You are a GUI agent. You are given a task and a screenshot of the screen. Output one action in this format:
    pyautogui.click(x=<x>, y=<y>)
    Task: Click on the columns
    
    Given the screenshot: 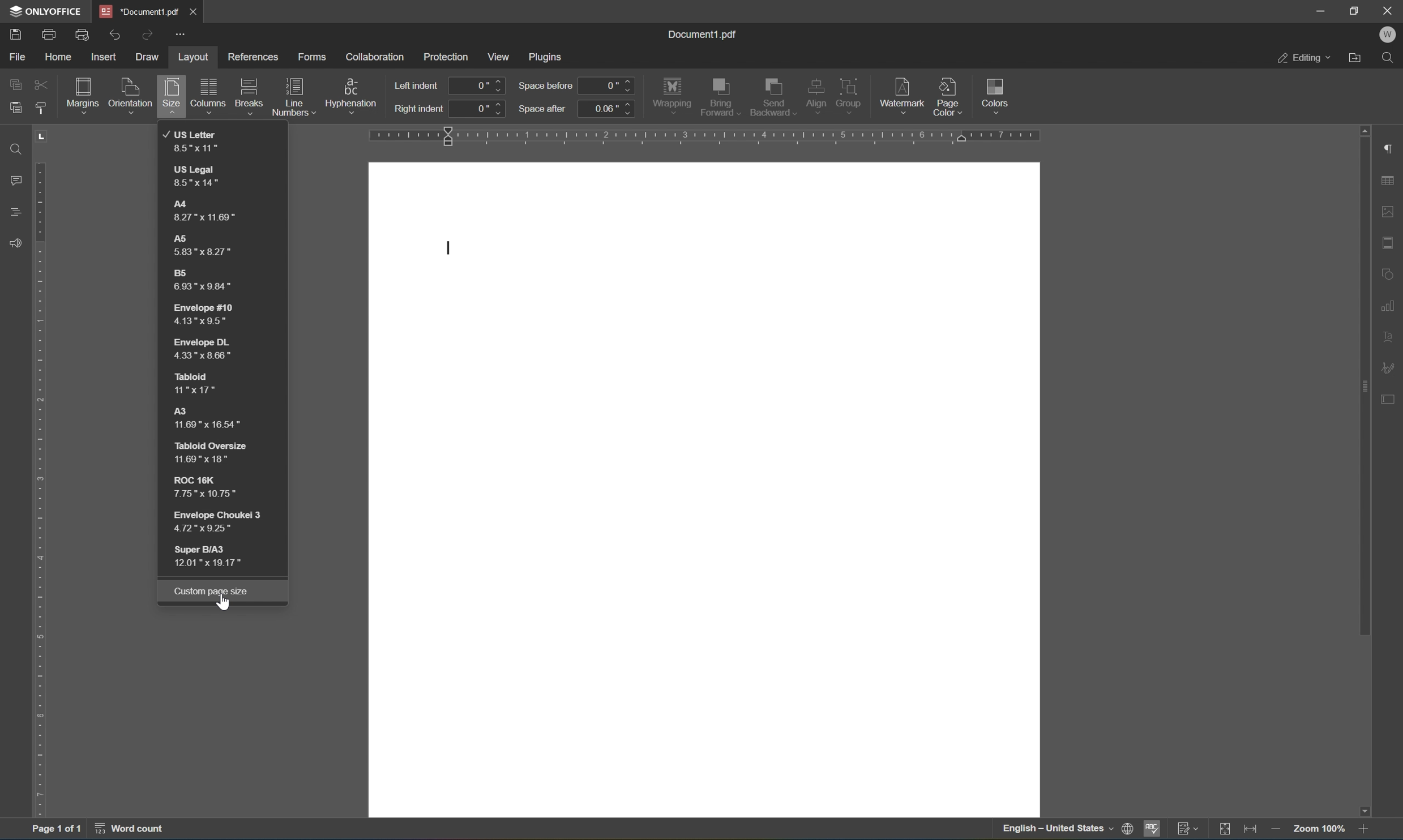 What is the action you would take?
    pyautogui.click(x=207, y=90)
    